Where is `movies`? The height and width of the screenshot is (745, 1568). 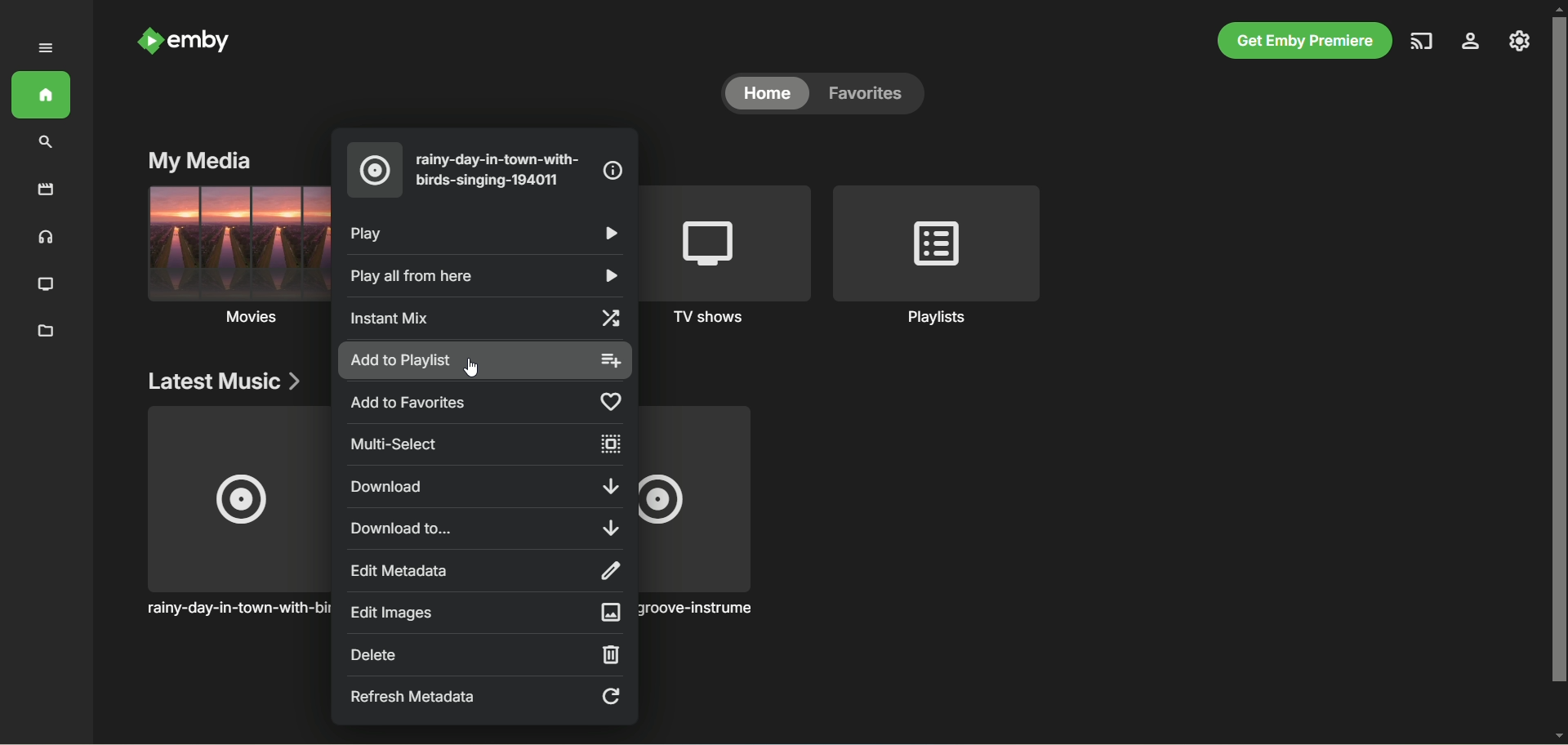
movies is located at coordinates (237, 260).